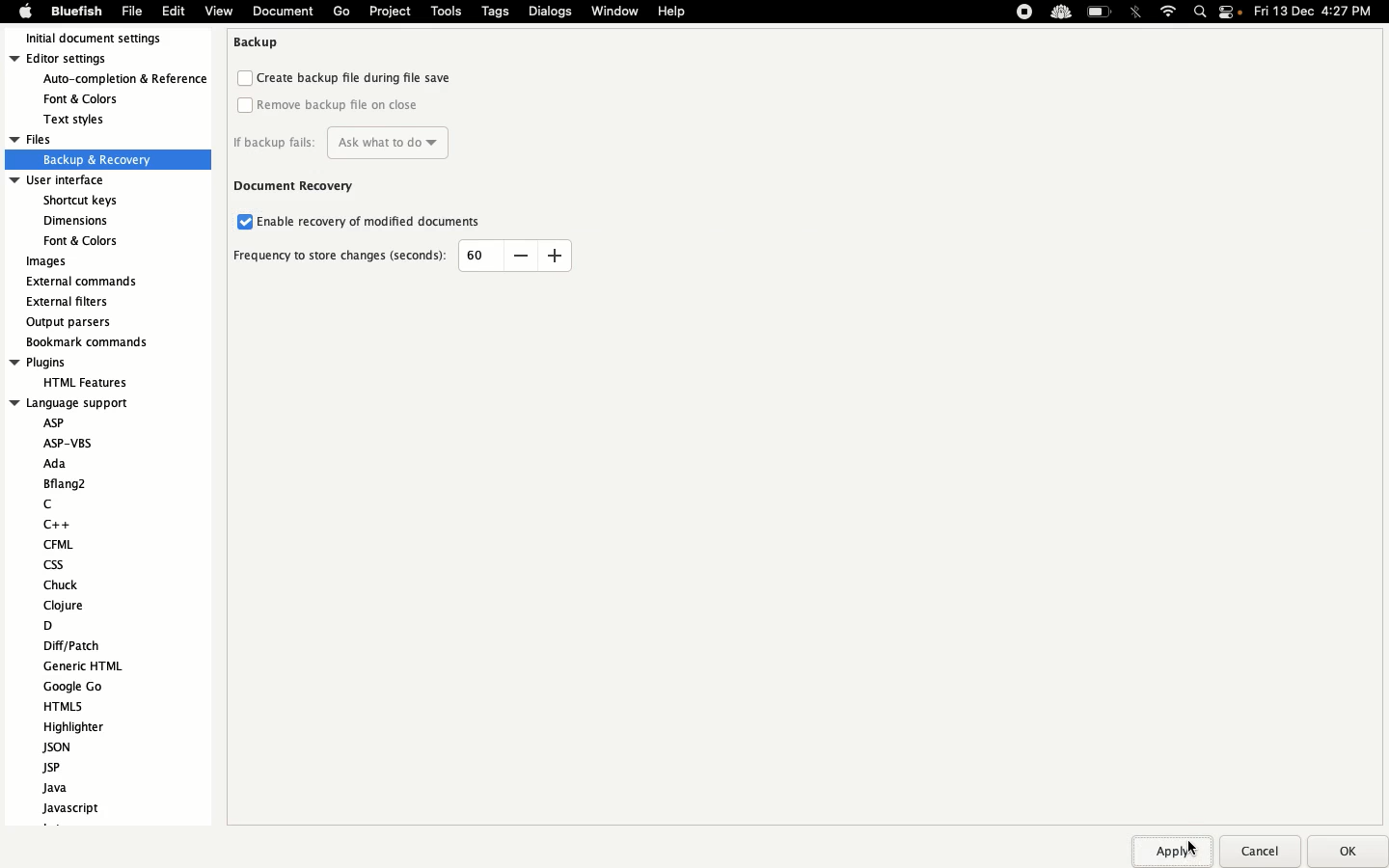 Image resolution: width=1389 pixels, height=868 pixels. I want to click on Plugins , so click(77, 374).